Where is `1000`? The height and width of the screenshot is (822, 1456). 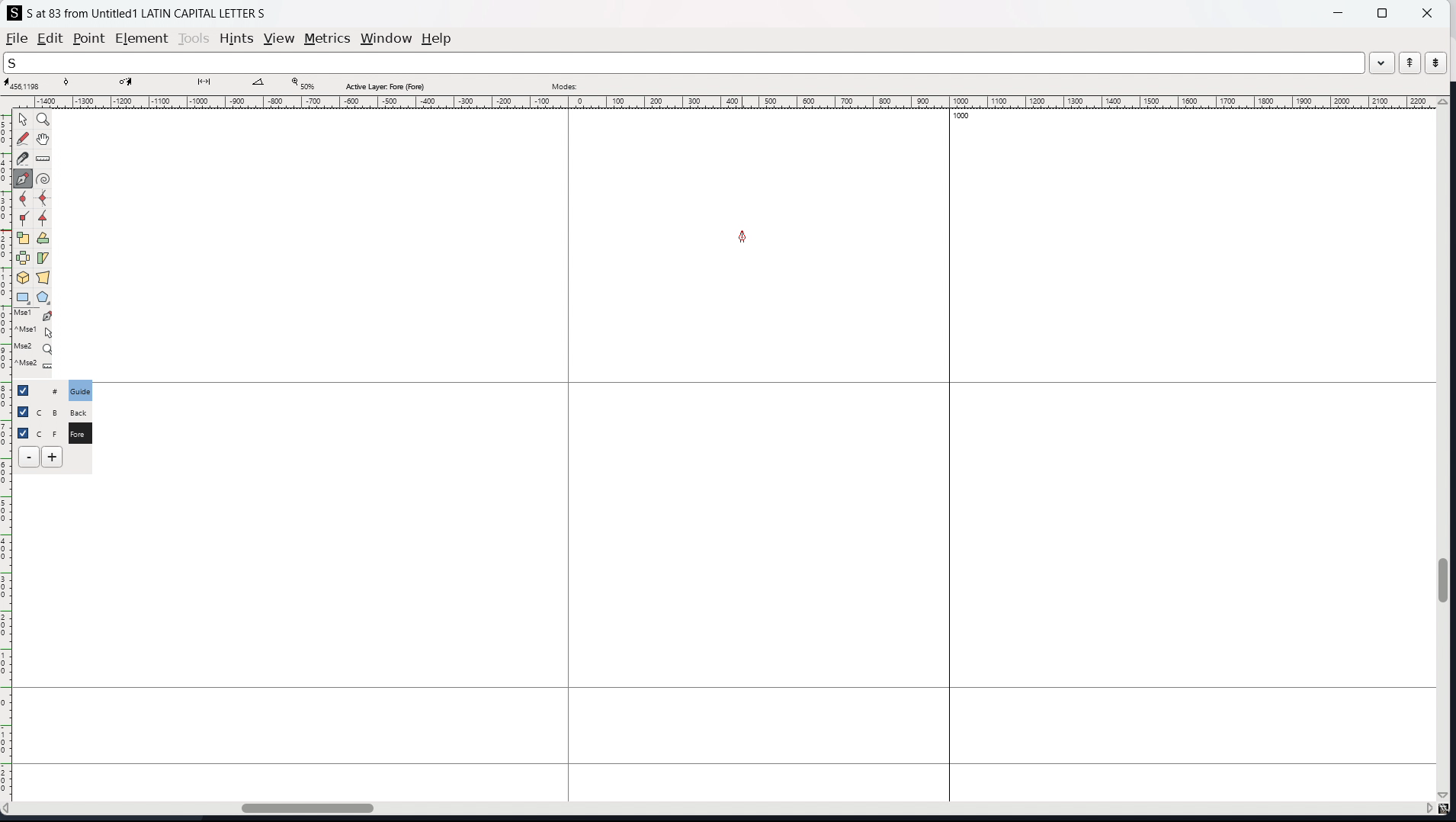 1000 is located at coordinates (966, 117).